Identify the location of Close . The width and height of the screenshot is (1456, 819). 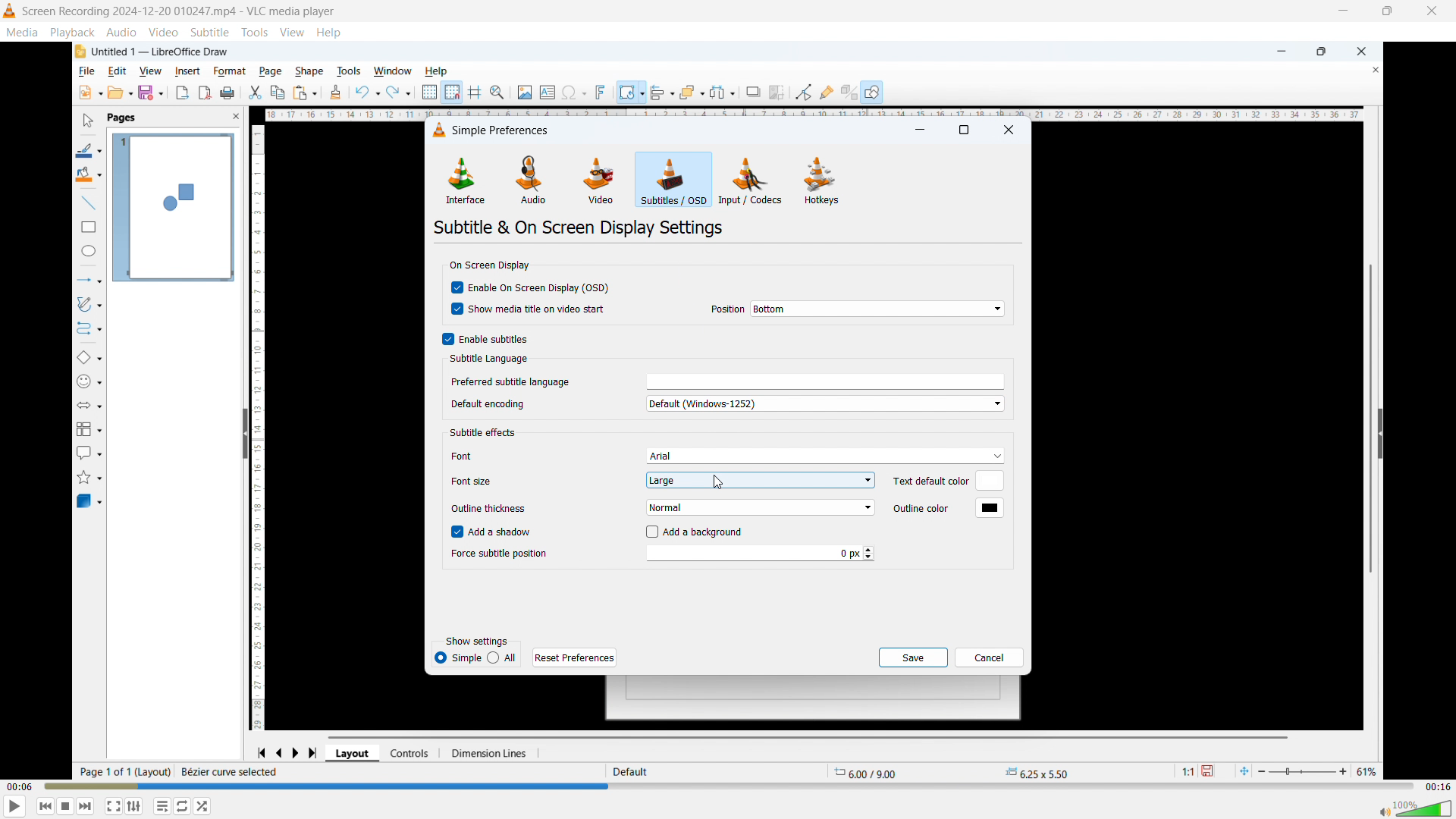
(1010, 130).